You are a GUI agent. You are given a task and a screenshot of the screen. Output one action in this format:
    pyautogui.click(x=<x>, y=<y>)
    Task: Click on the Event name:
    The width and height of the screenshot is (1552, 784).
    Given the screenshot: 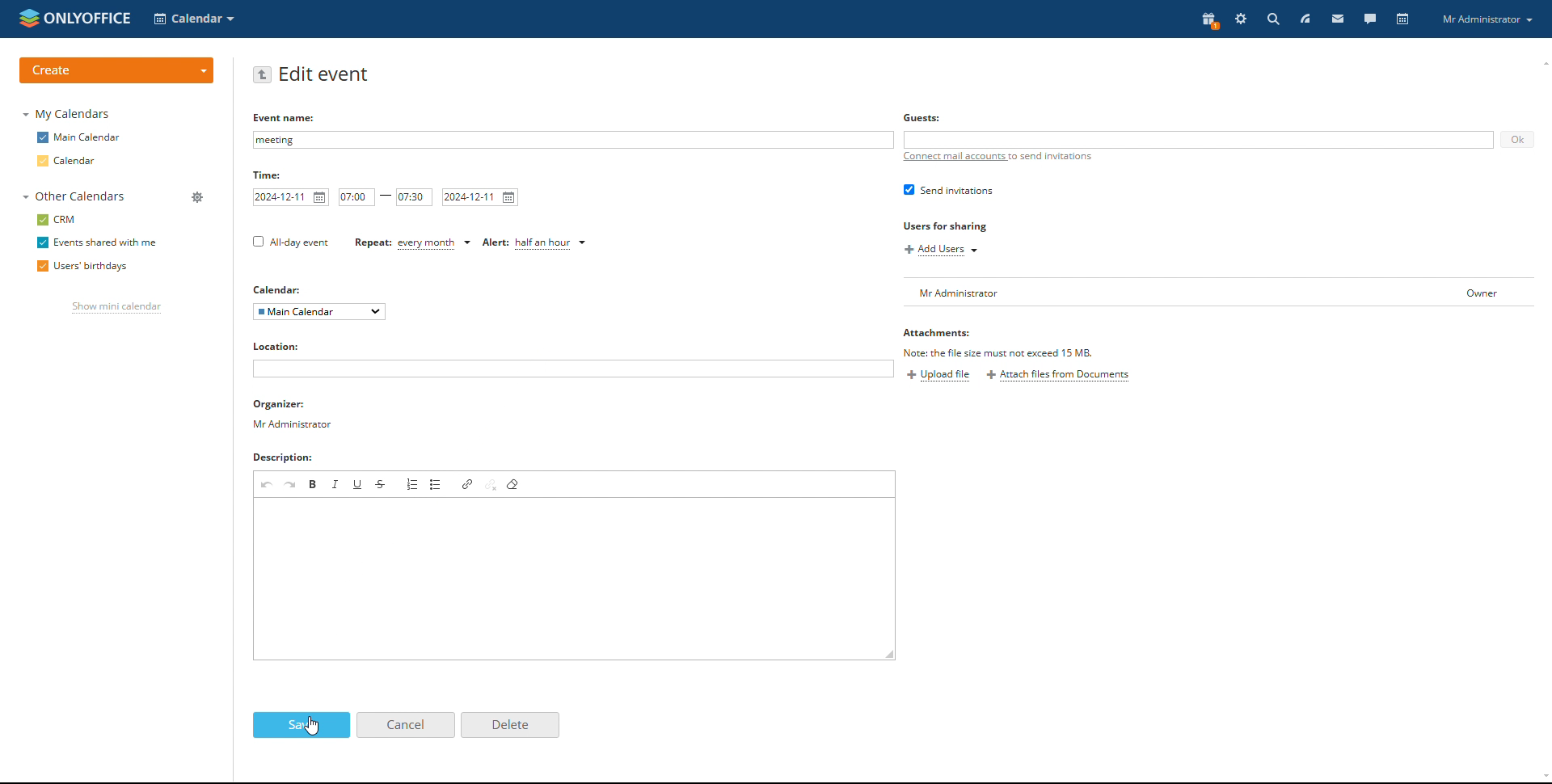 What is the action you would take?
    pyautogui.click(x=280, y=118)
    